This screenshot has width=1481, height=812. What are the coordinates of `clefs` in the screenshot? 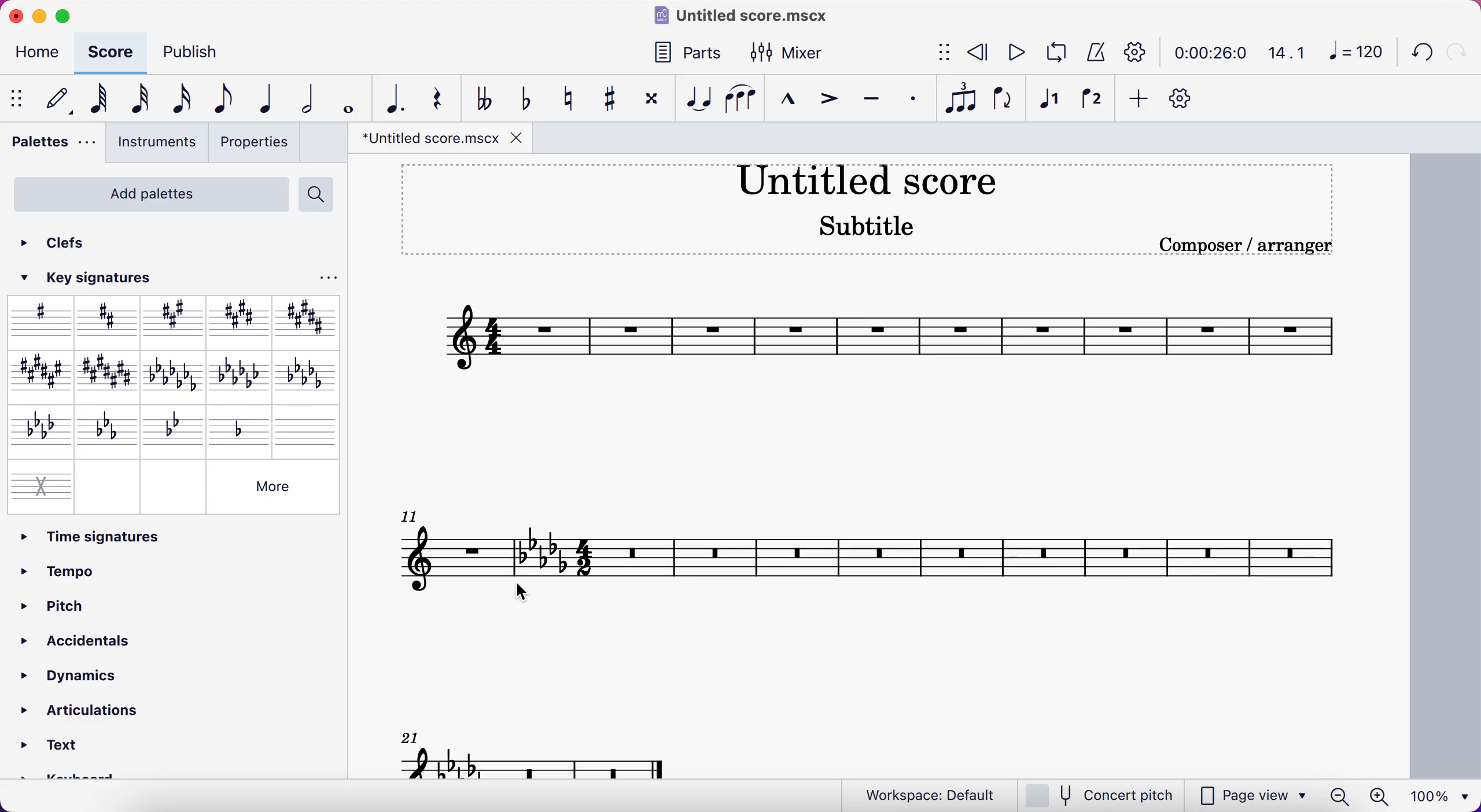 It's located at (69, 243).